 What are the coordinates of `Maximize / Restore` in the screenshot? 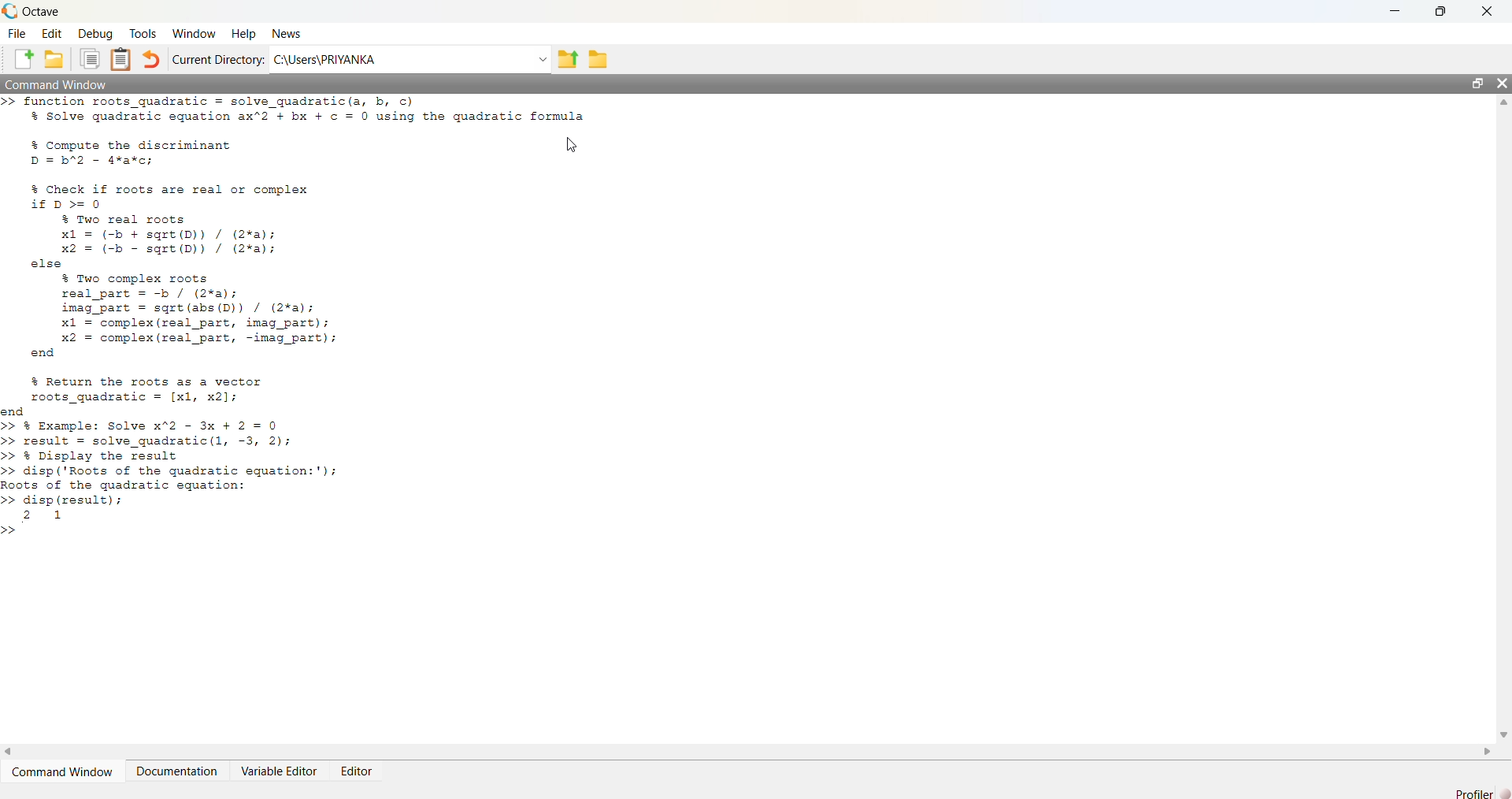 It's located at (1444, 13).